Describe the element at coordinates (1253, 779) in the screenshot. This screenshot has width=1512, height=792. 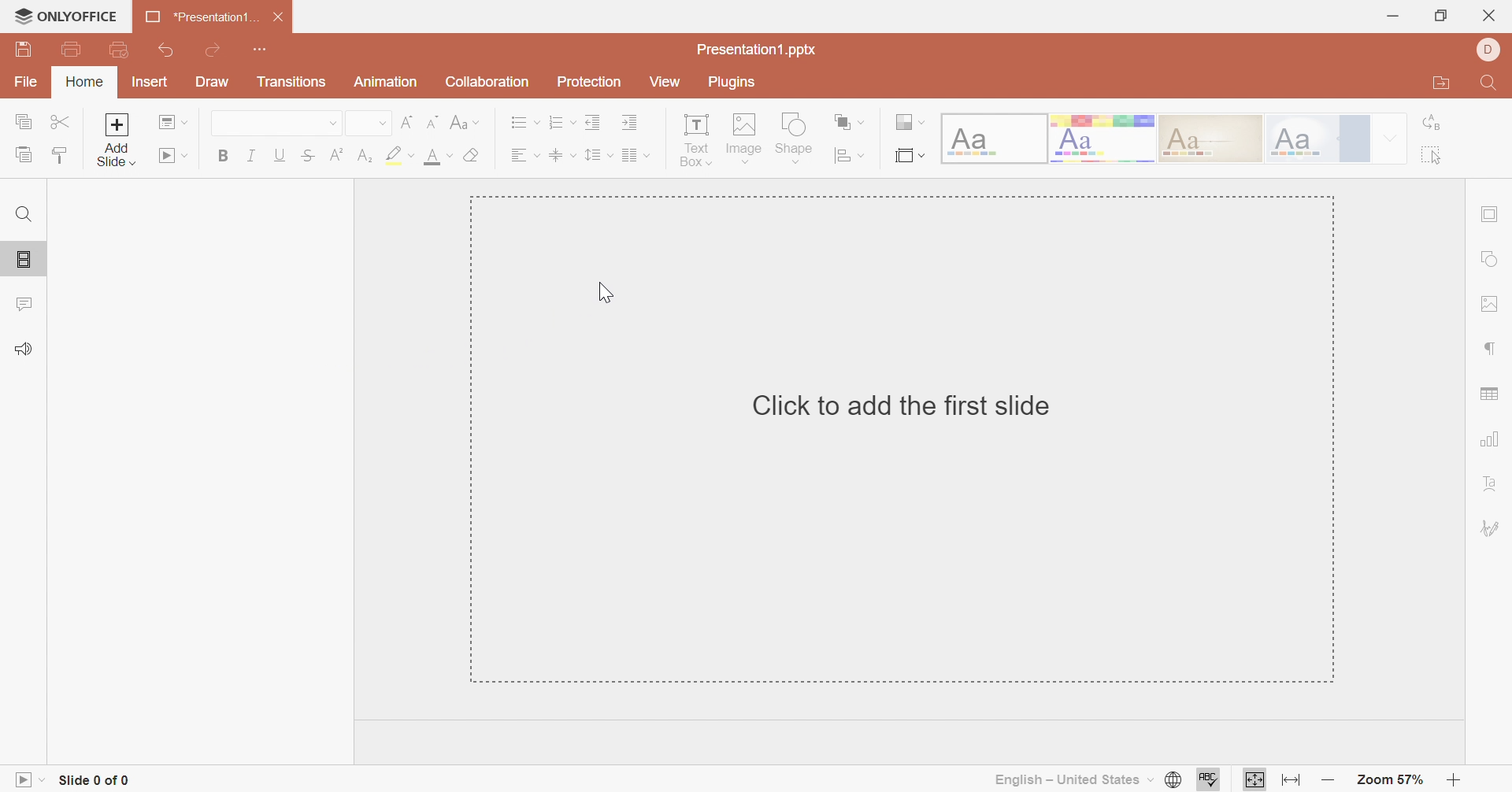
I see `Fit to slide` at that location.